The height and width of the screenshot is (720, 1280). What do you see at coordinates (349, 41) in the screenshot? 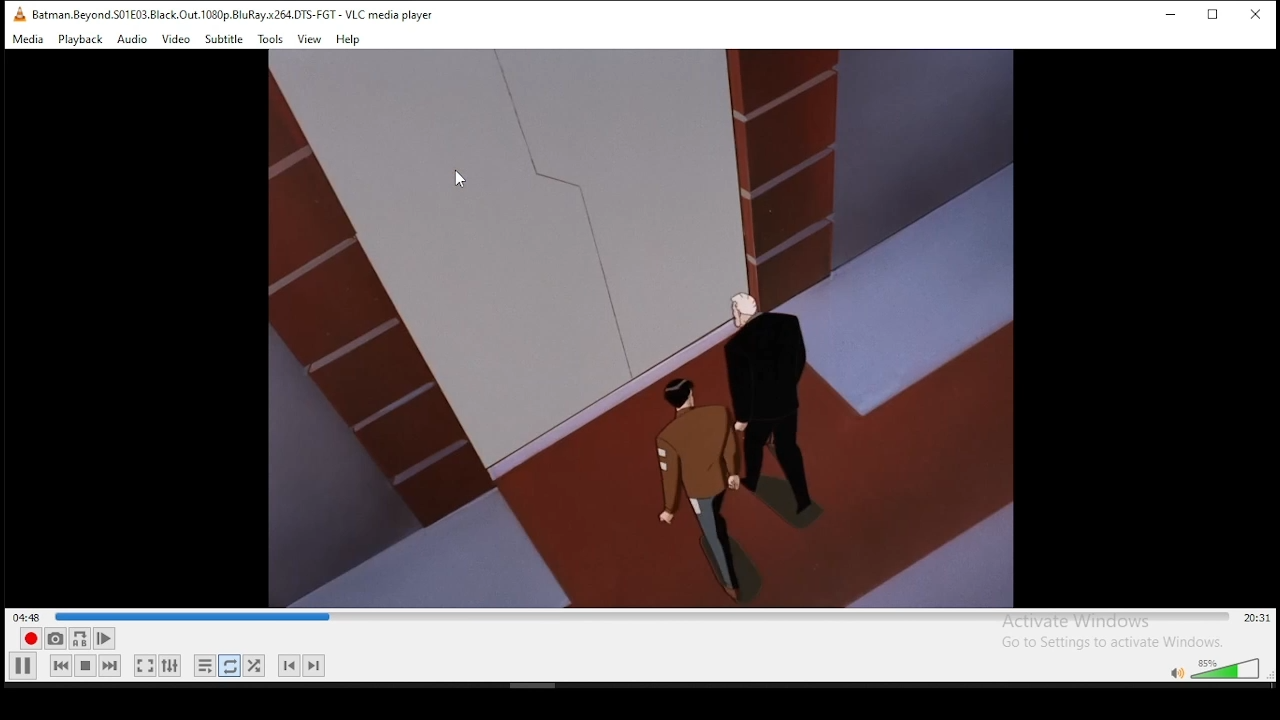
I see `Help` at bounding box center [349, 41].